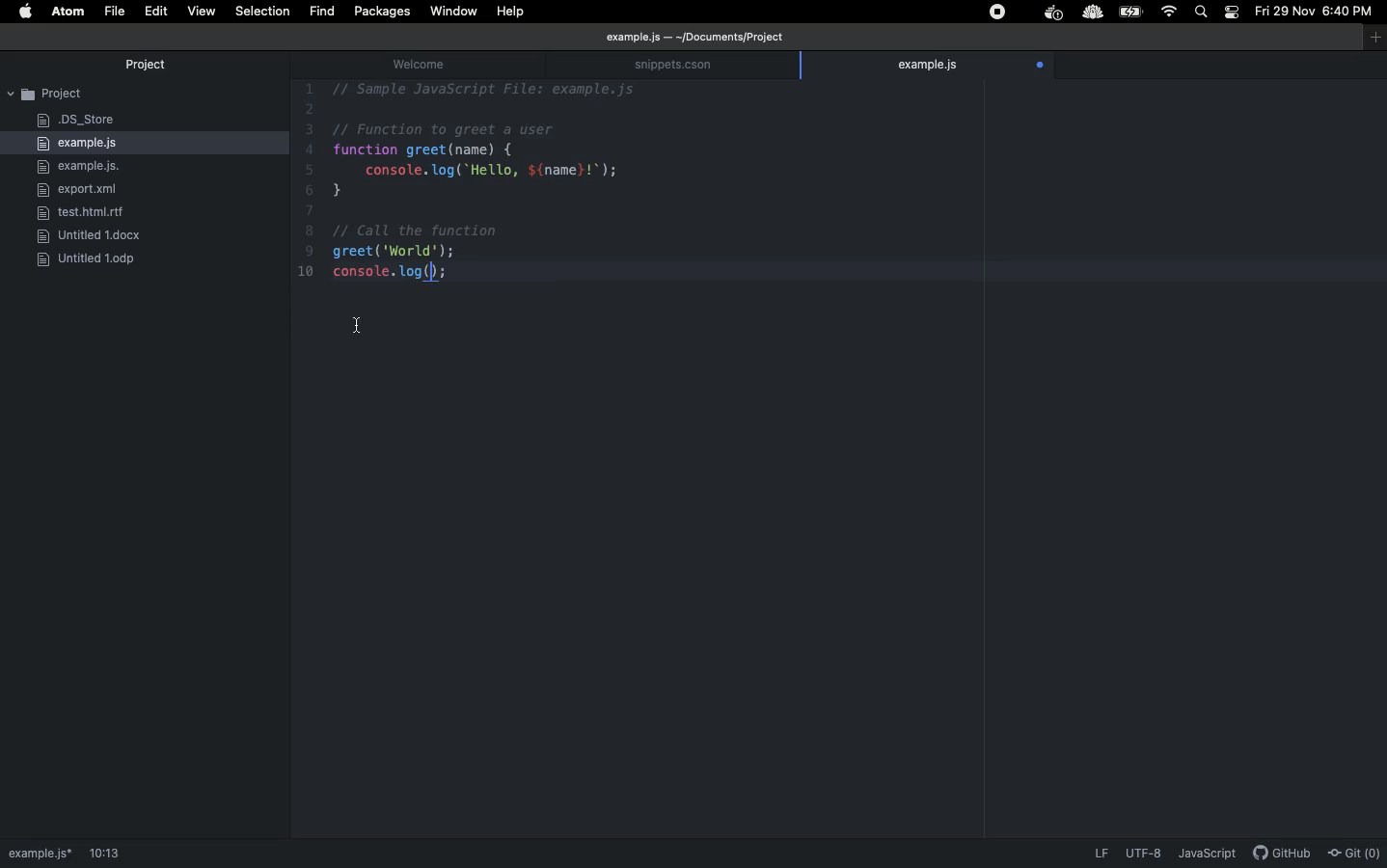 This screenshot has width=1387, height=868. What do you see at coordinates (1204, 12) in the screenshot?
I see `Search` at bounding box center [1204, 12].